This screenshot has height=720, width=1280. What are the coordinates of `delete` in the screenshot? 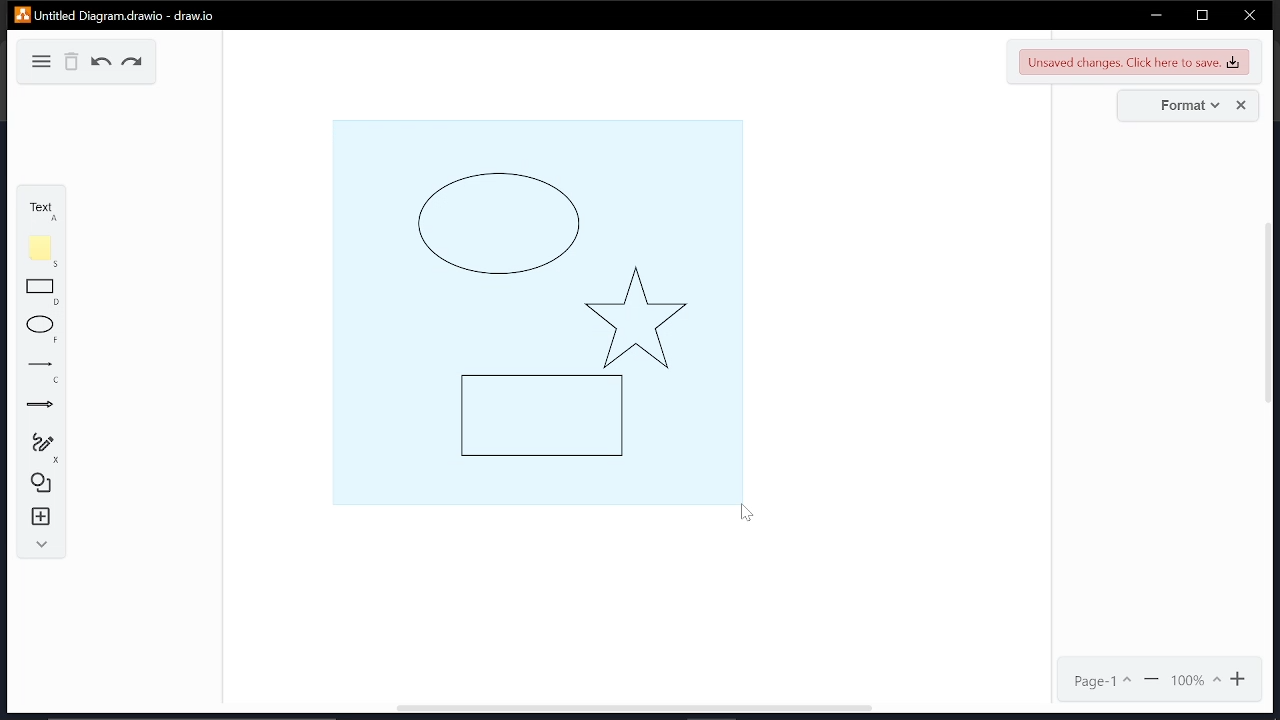 It's located at (73, 62).